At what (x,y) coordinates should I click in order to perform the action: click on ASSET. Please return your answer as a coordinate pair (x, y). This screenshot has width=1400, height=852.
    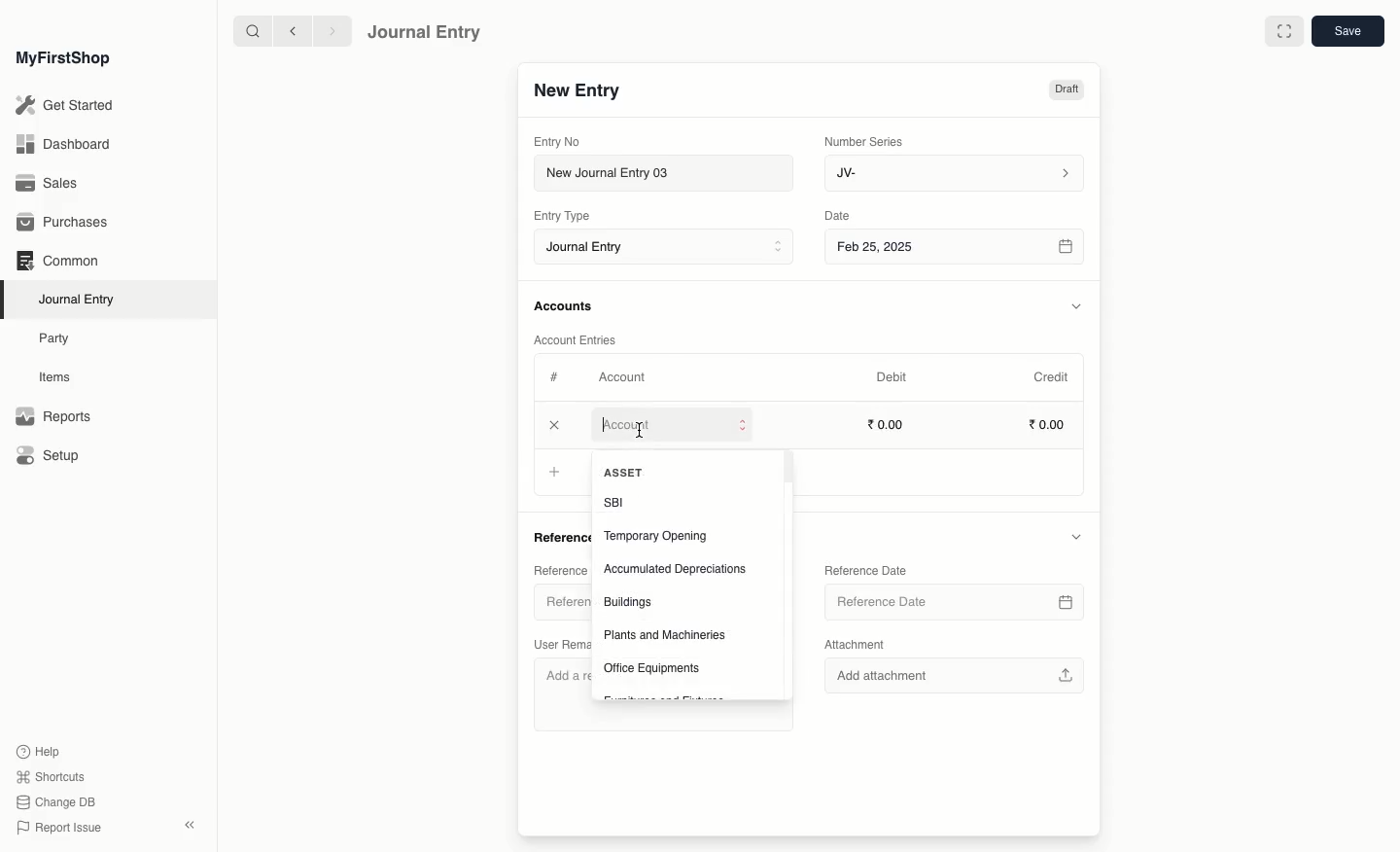
    Looking at the image, I should click on (624, 472).